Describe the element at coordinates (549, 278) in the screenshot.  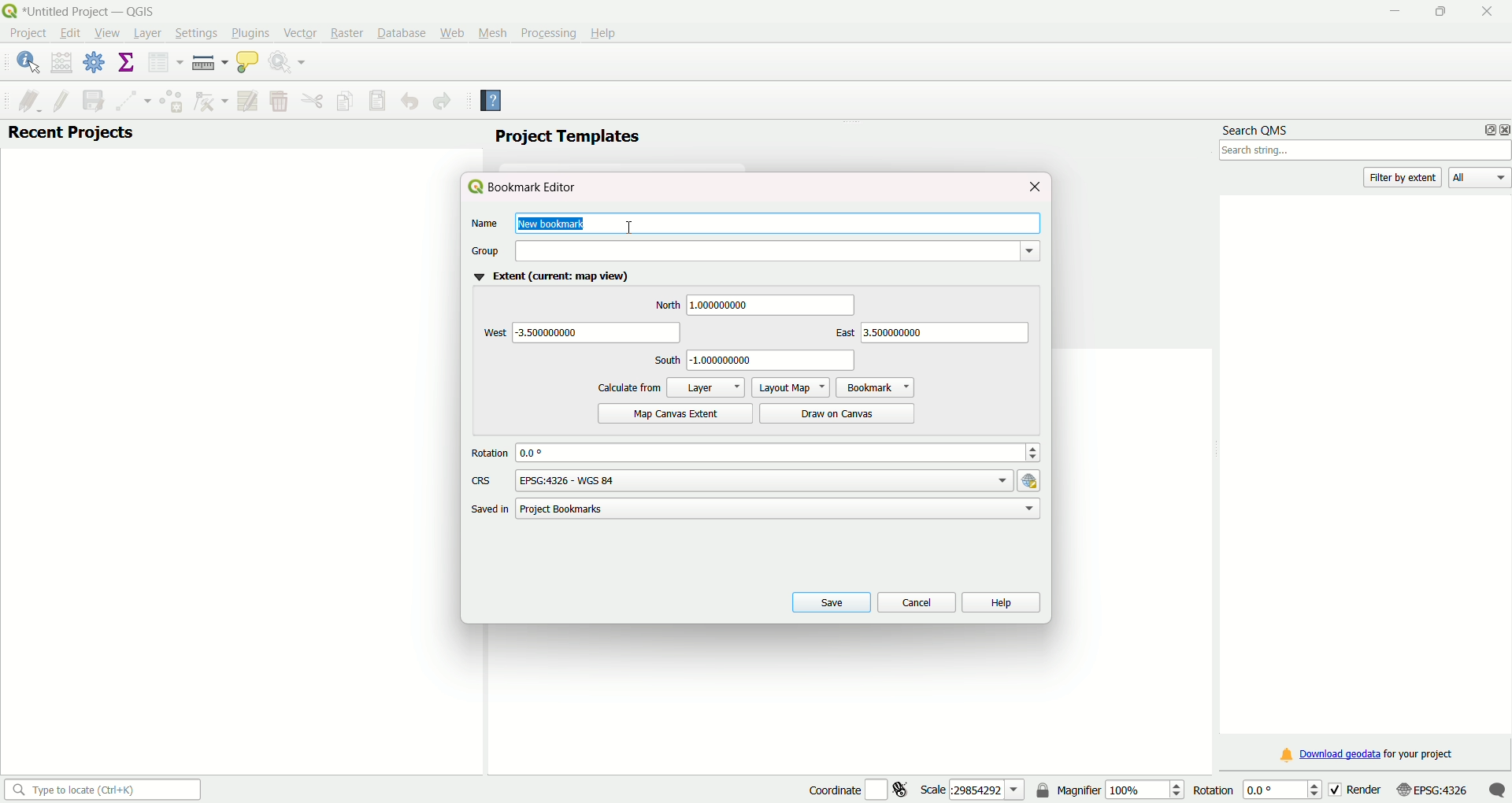
I see `Extent` at that location.